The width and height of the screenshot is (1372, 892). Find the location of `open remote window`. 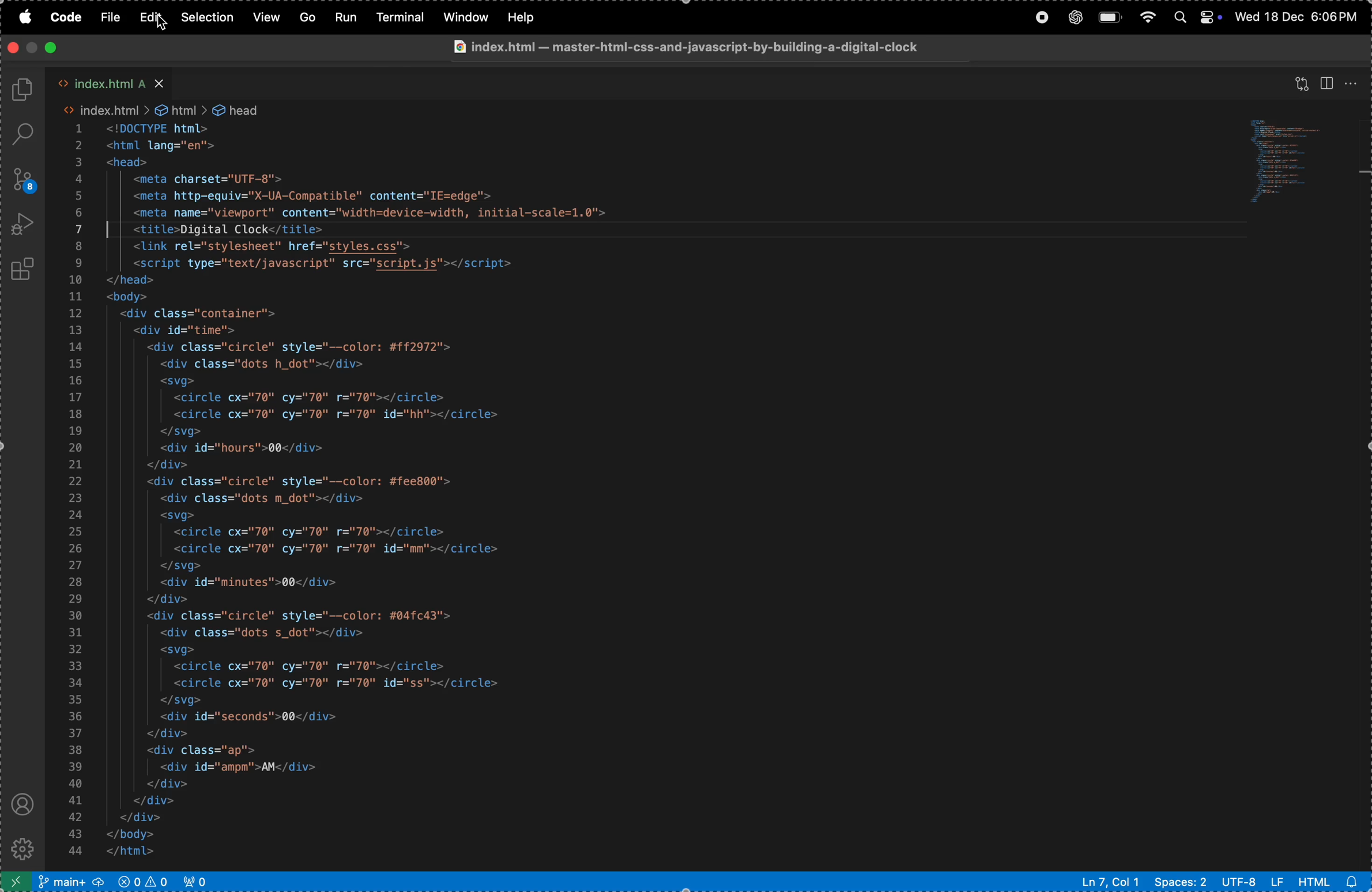

open remote window is located at coordinates (16, 882).